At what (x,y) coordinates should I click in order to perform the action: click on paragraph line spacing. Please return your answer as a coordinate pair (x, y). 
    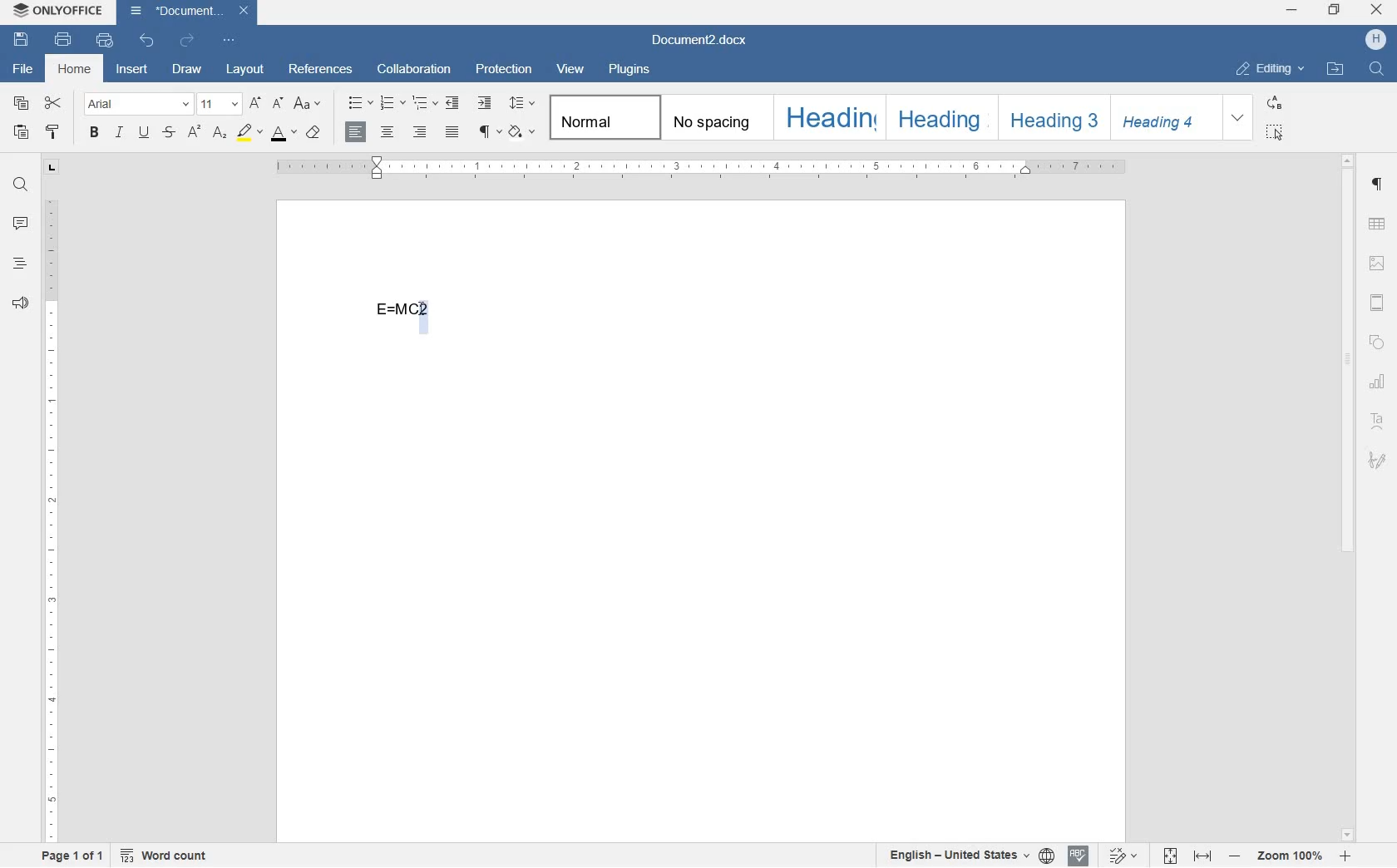
    Looking at the image, I should click on (521, 103).